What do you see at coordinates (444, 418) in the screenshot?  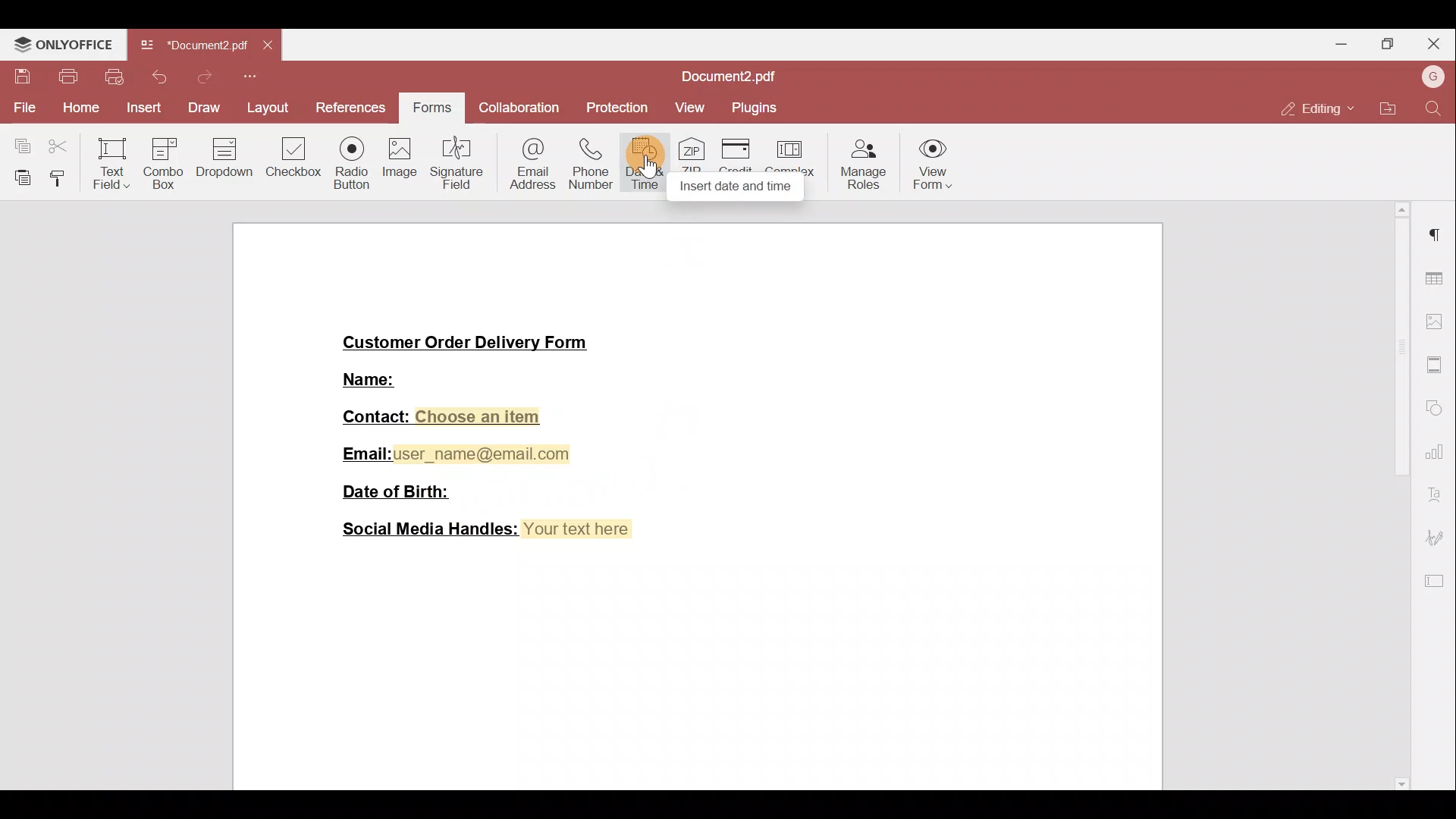 I see `Contact: Choose an item` at bounding box center [444, 418].